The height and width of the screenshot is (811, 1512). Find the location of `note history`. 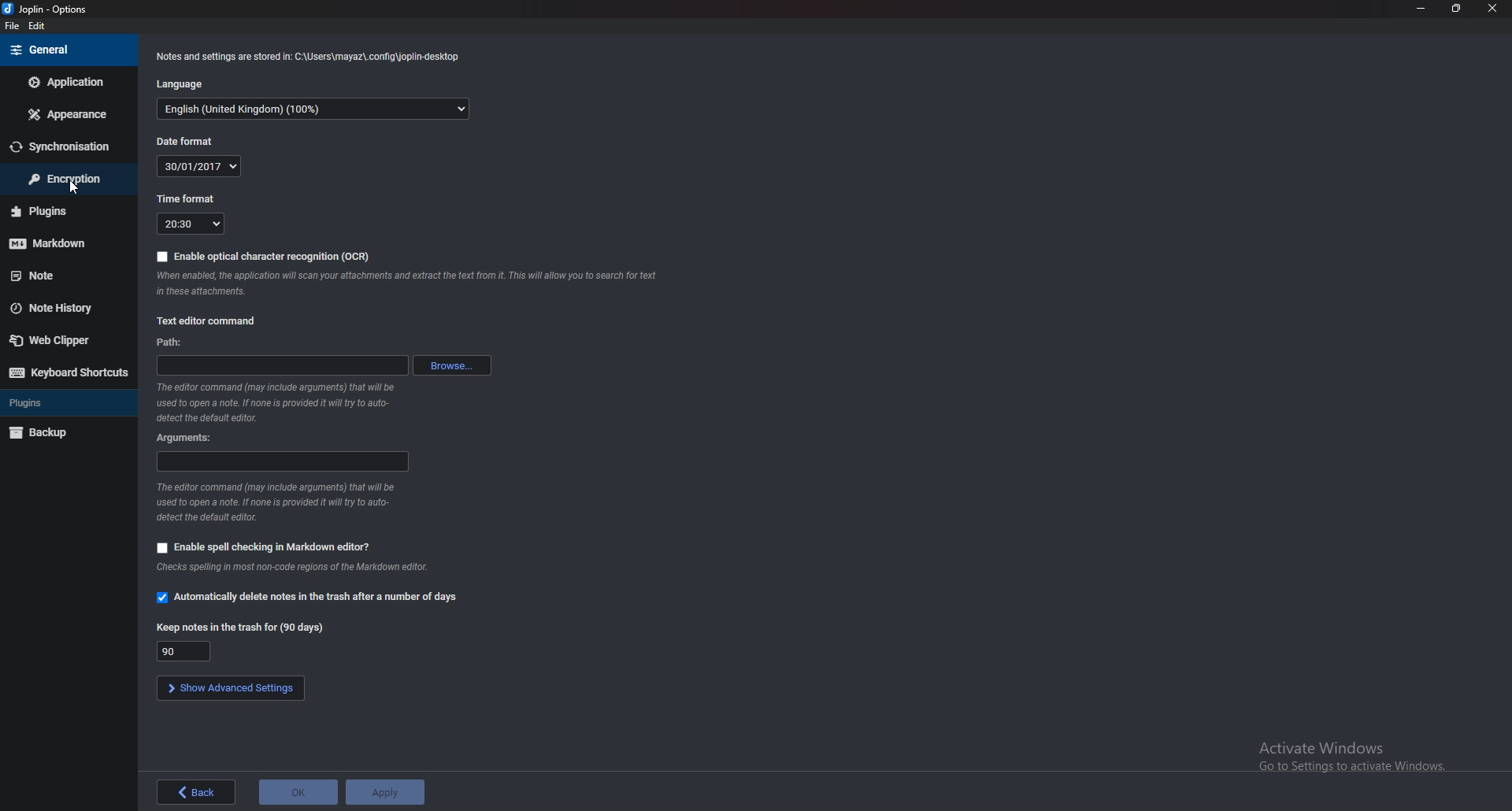

note history is located at coordinates (65, 309).